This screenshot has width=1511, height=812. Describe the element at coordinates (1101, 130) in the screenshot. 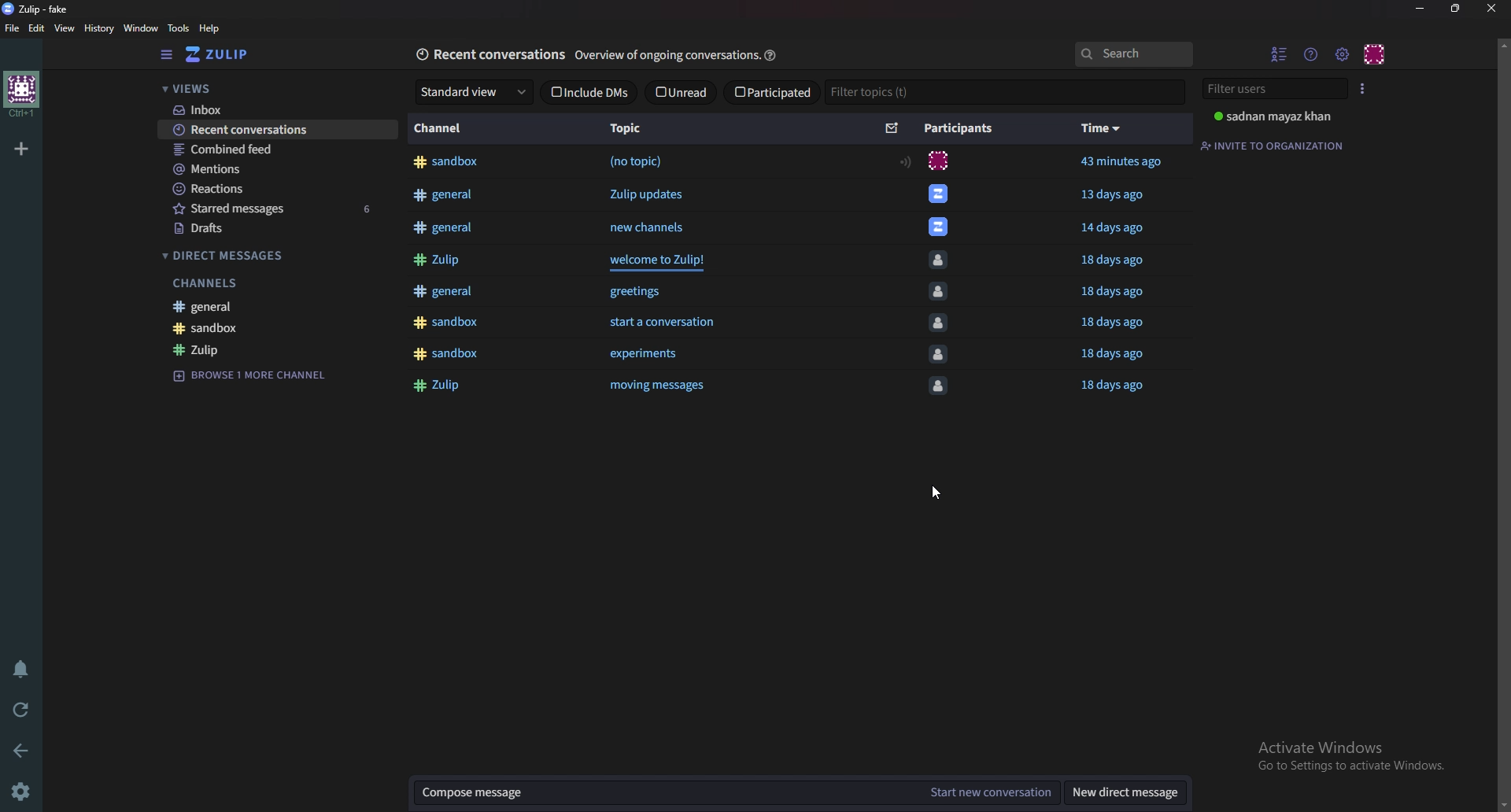

I see `time` at that location.